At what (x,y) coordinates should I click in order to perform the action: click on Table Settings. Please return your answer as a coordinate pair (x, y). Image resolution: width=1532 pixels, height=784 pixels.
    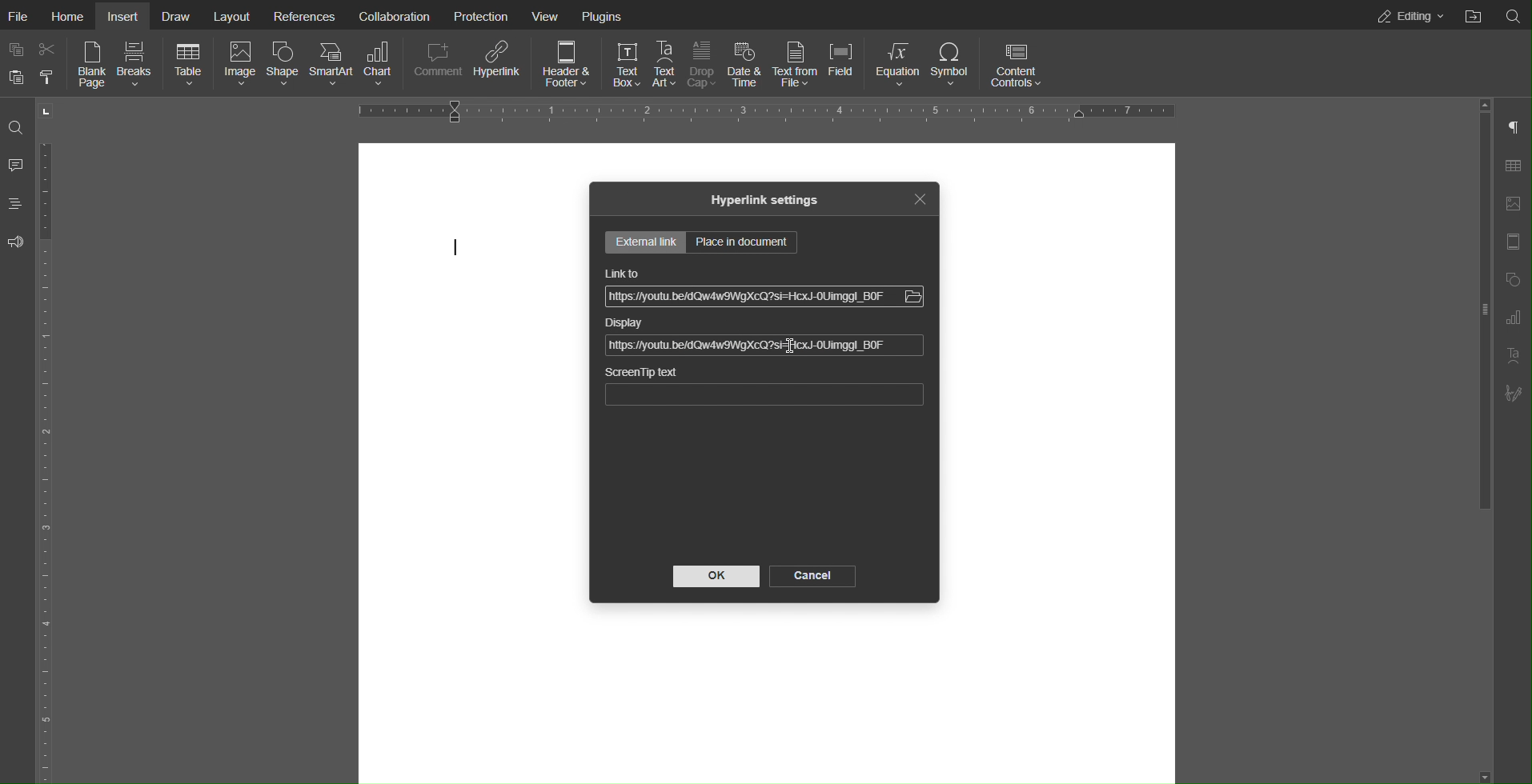
    Looking at the image, I should click on (1512, 164).